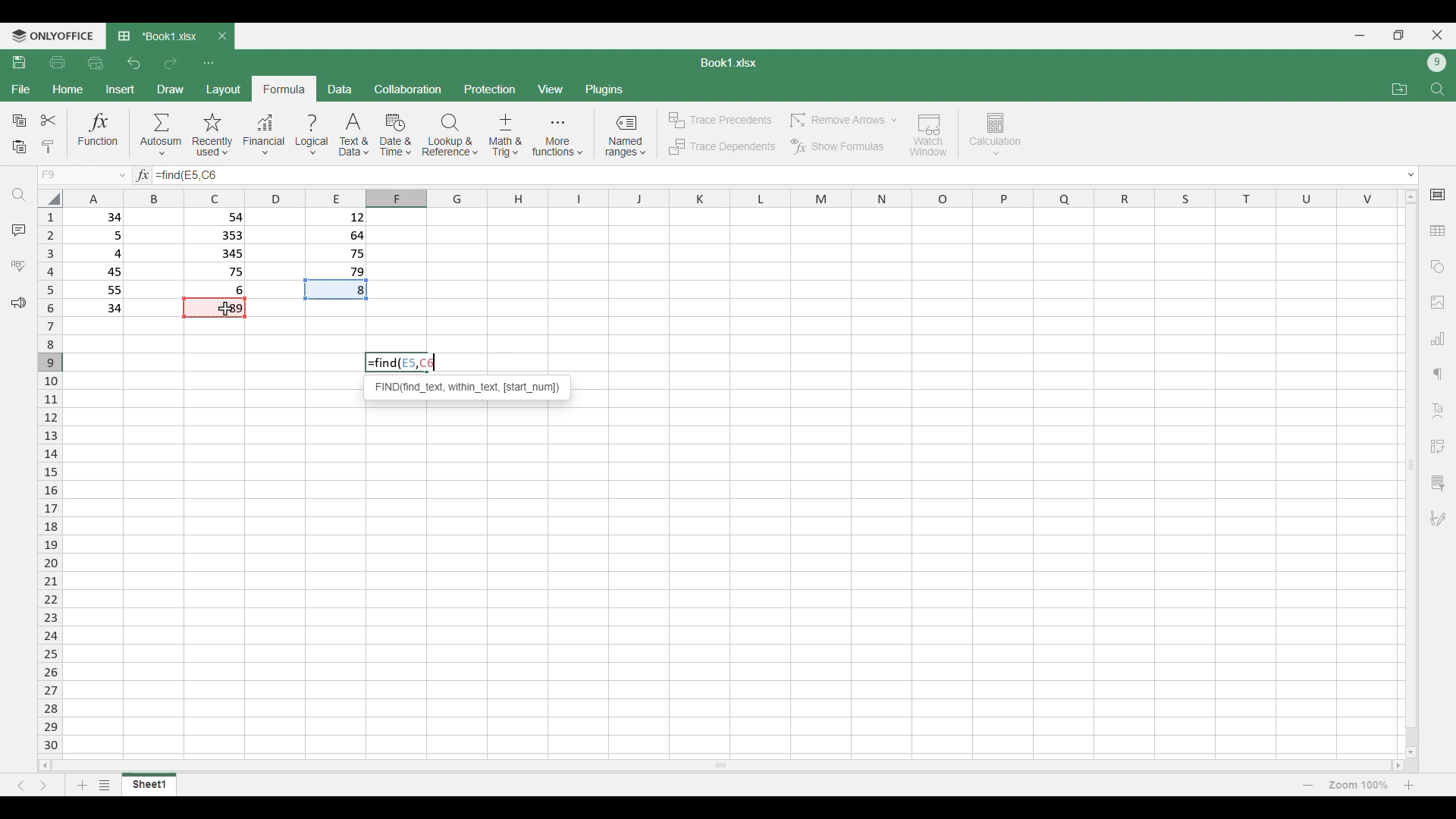 This screenshot has height=819, width=1456. Describe the element at coordinates (726, 199) in the screenshot. I see `Indicates columns` at that location.